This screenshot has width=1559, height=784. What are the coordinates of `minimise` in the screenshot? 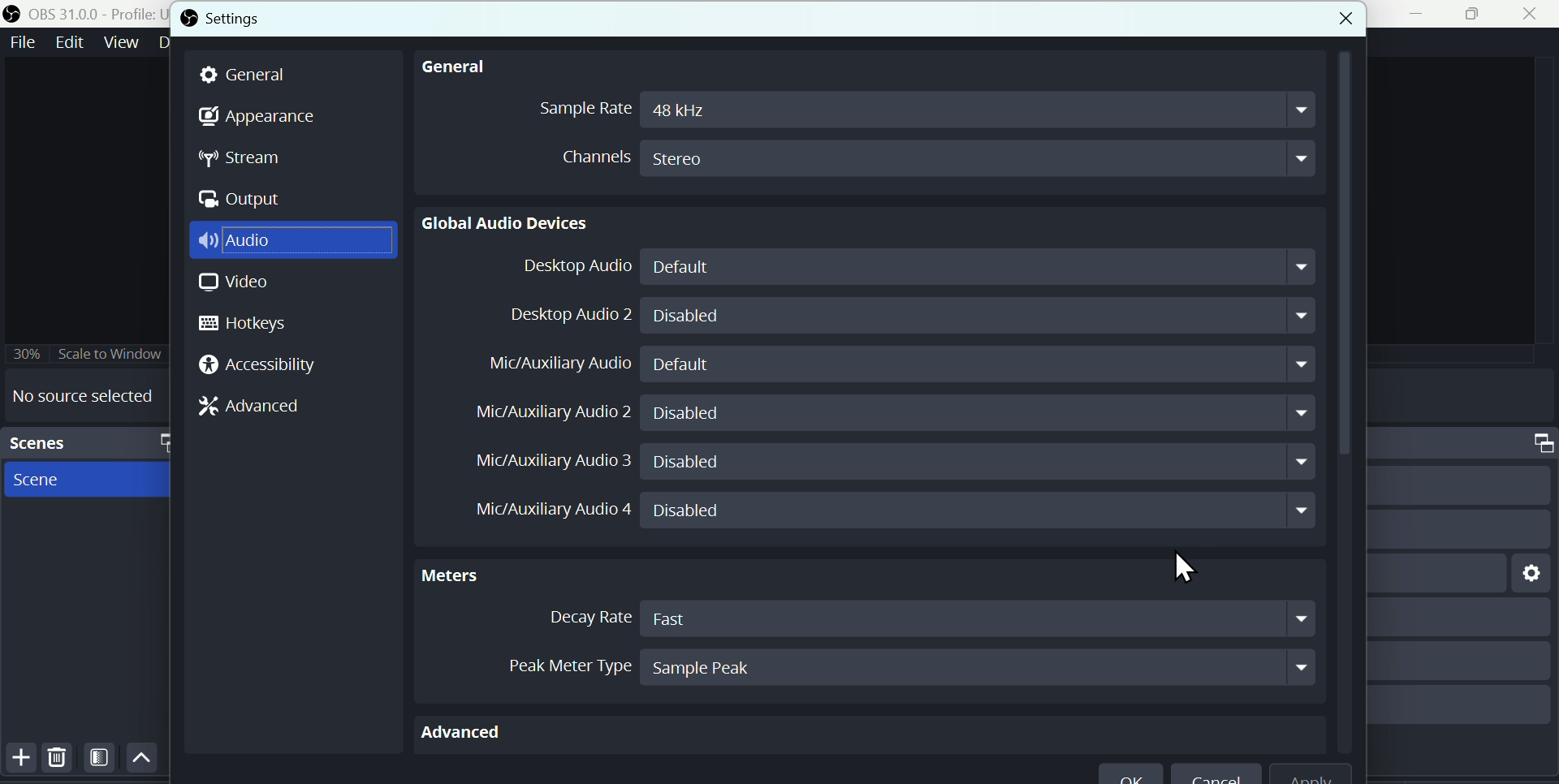 It's located at (1420, 14).